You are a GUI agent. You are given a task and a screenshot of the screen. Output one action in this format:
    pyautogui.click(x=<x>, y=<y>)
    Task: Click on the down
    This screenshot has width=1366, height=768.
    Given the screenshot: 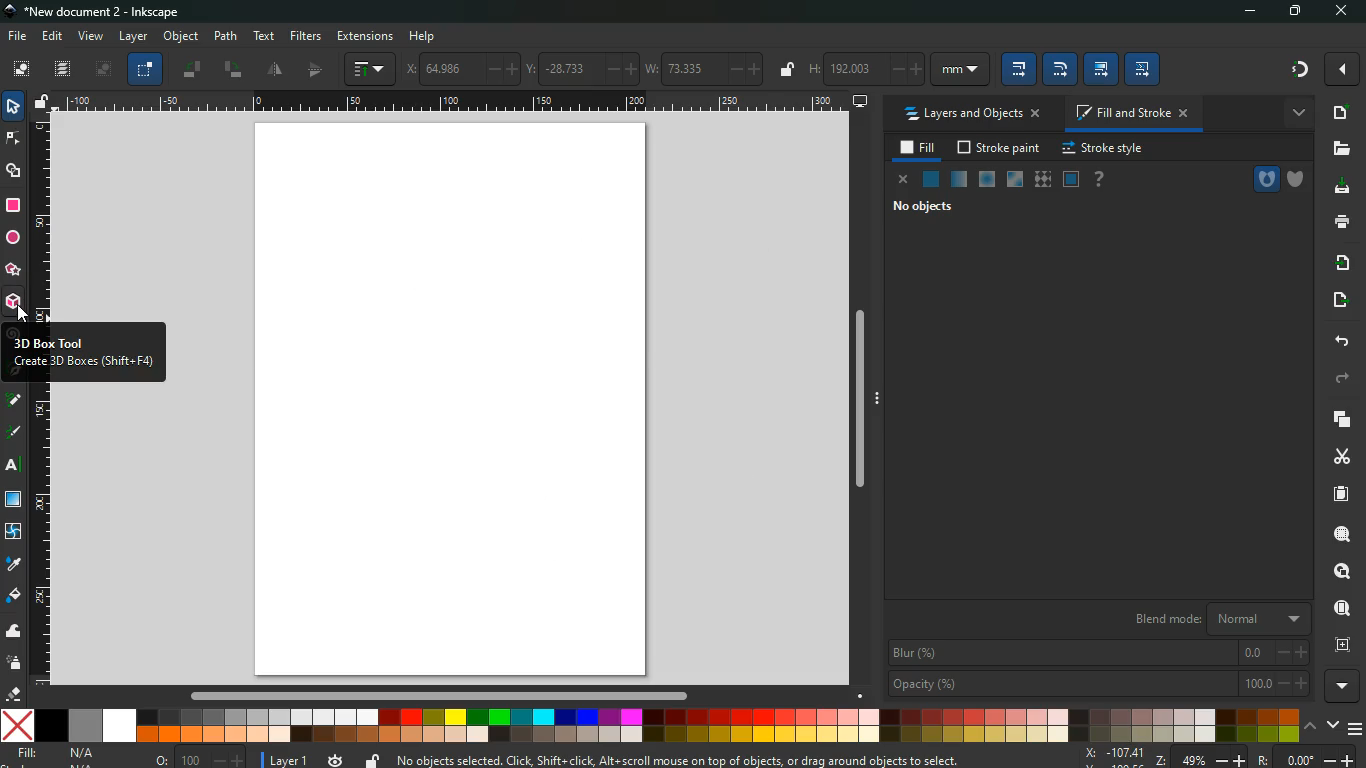 What is the action you would take?
    pyautogui.click(x=1334, y=726)
    